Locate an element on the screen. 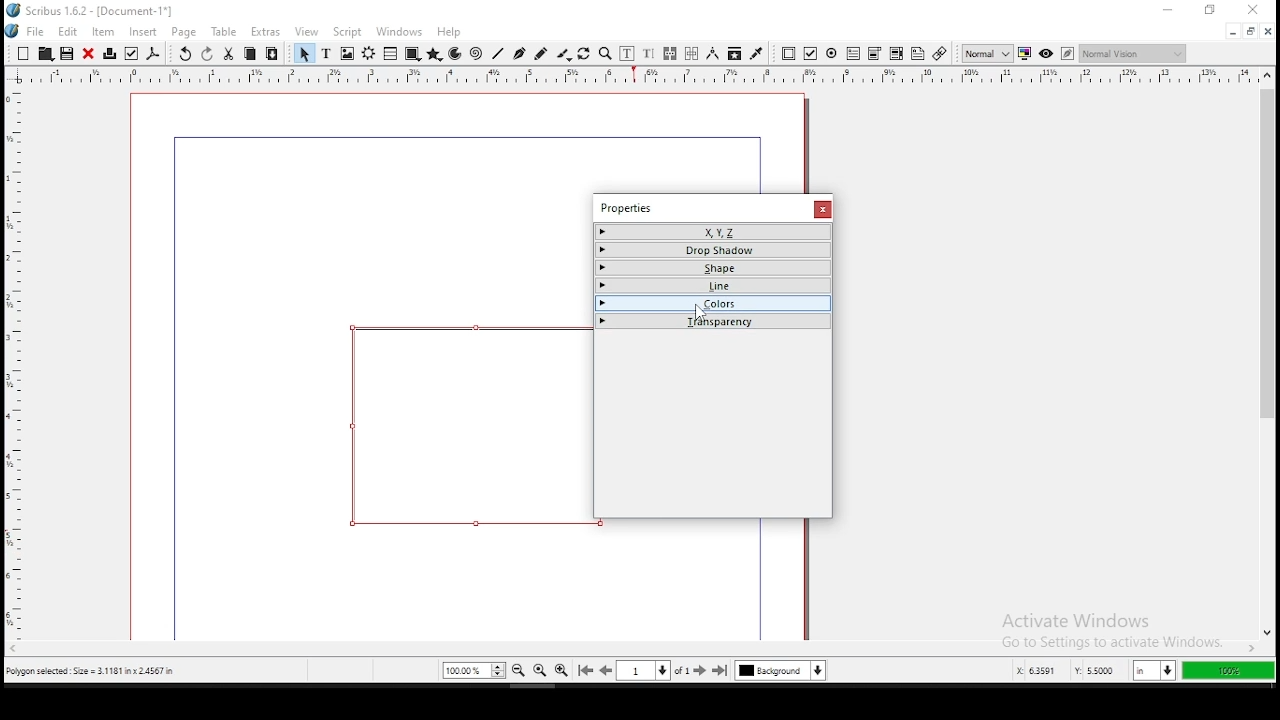  line is located at coordinates (714, 285).